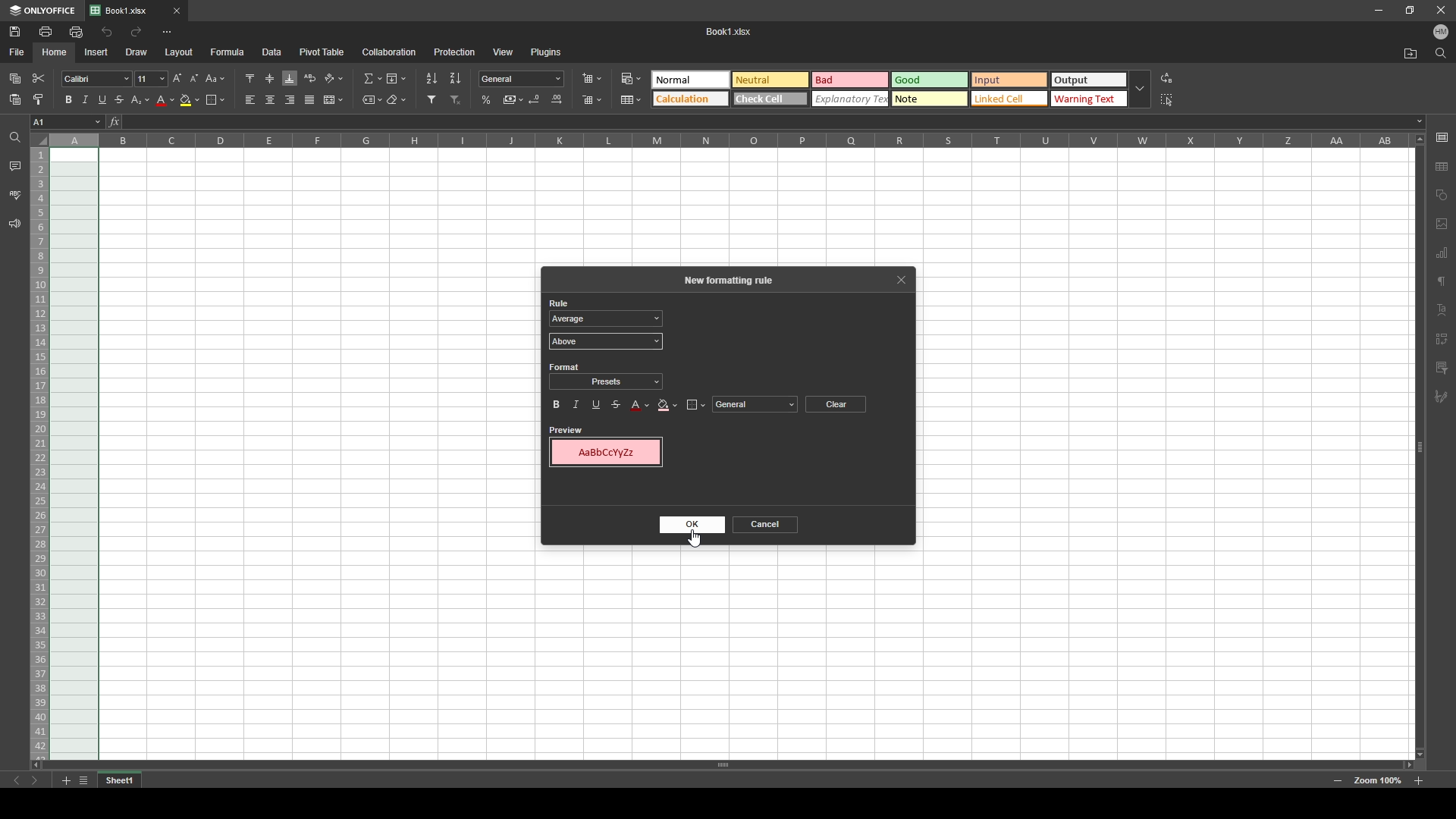 This screenshot has height=819, width=1456. What do you see at coordinates (43, 11) in the screenshot?
I see `onlyoffice` at bounding box center [43, 11].